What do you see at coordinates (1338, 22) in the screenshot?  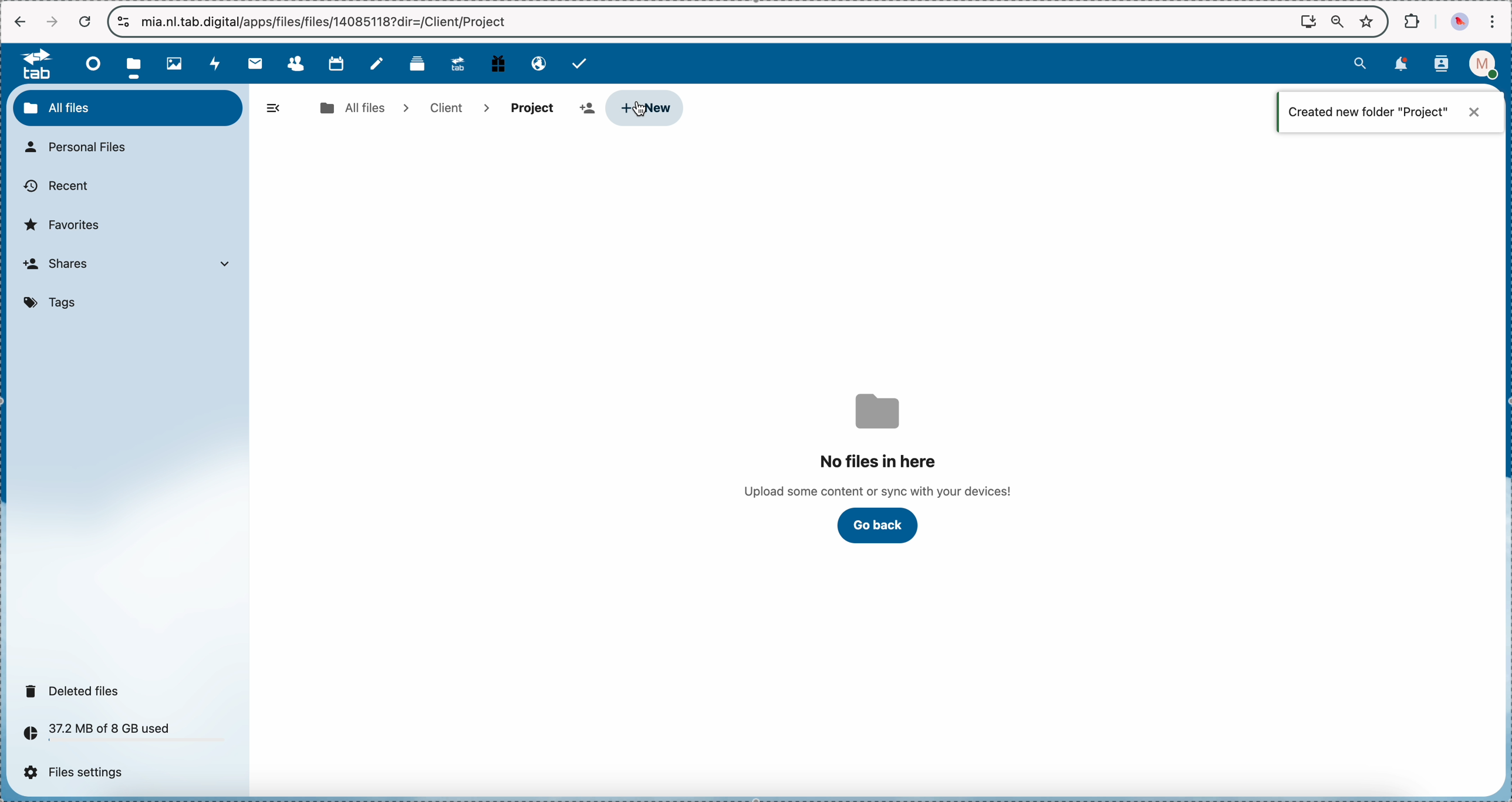 I see `zoom out` at bounding box center [1338, 22].